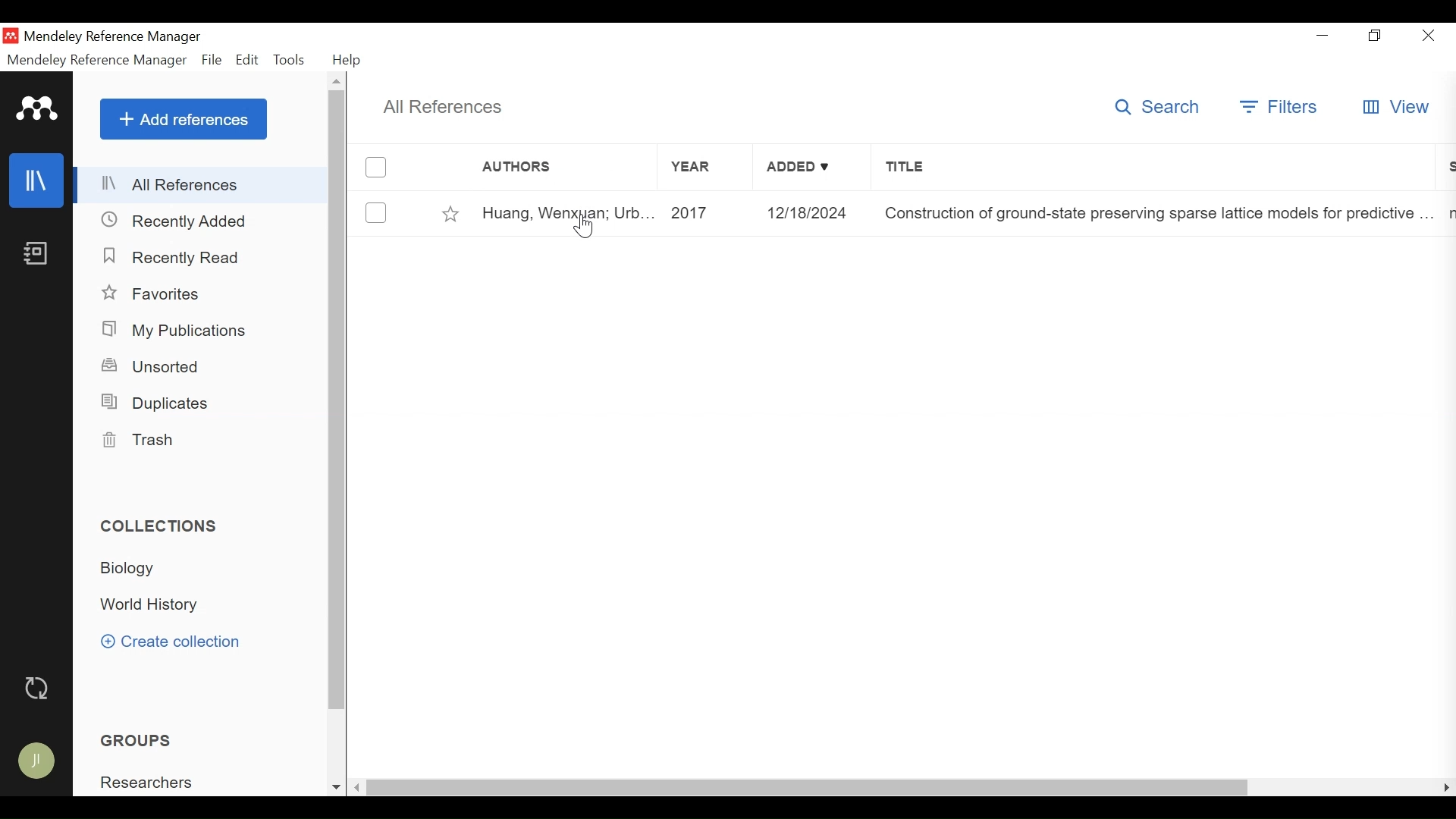 Image resolution: width=1456 pixels, height=819 pixels. Describe the element at coordinates (567, 214) in the screenshot. I see `Huang, Wenxuan; Urb...` at that location.